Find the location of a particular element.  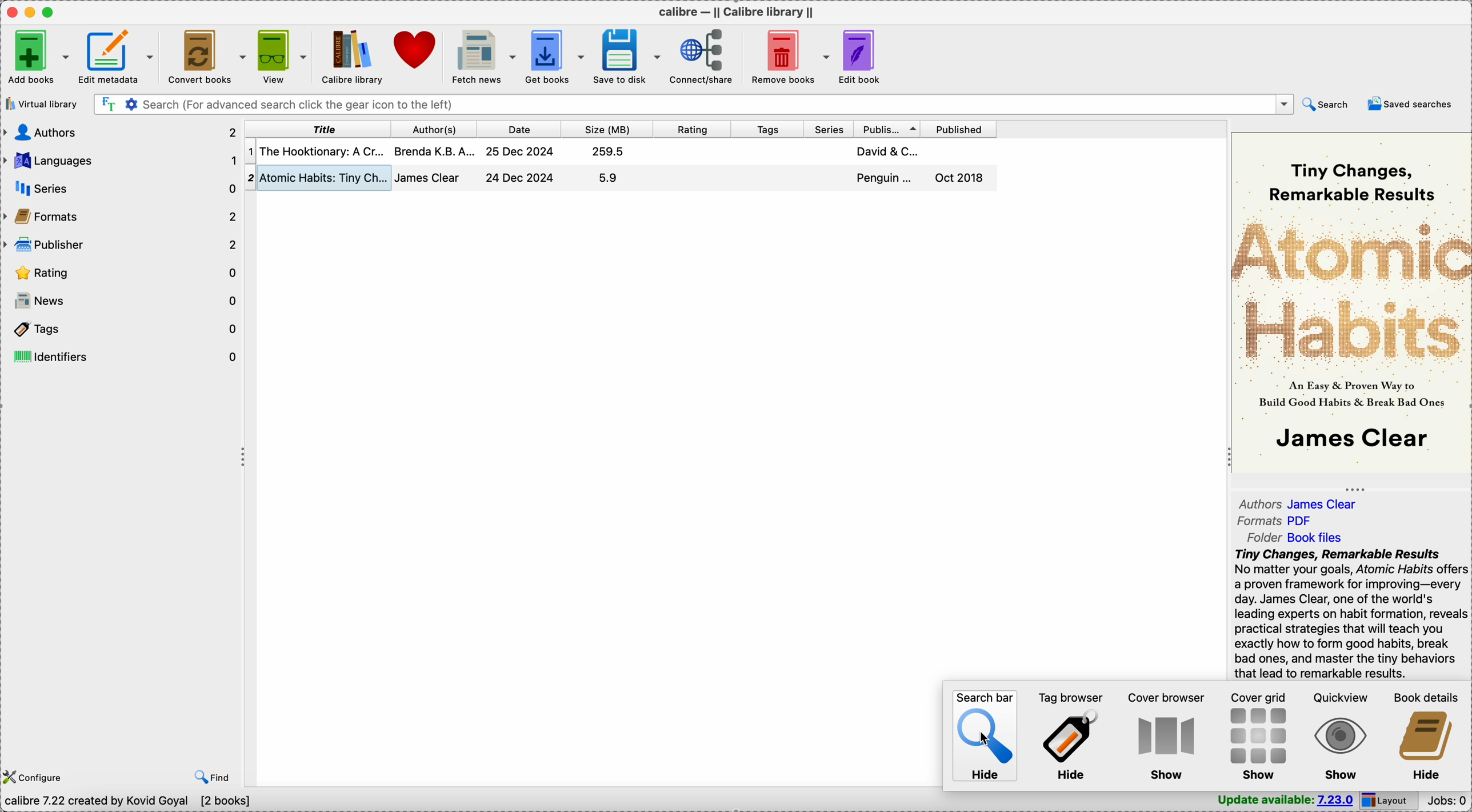

series is located at coordinates (122, 189).